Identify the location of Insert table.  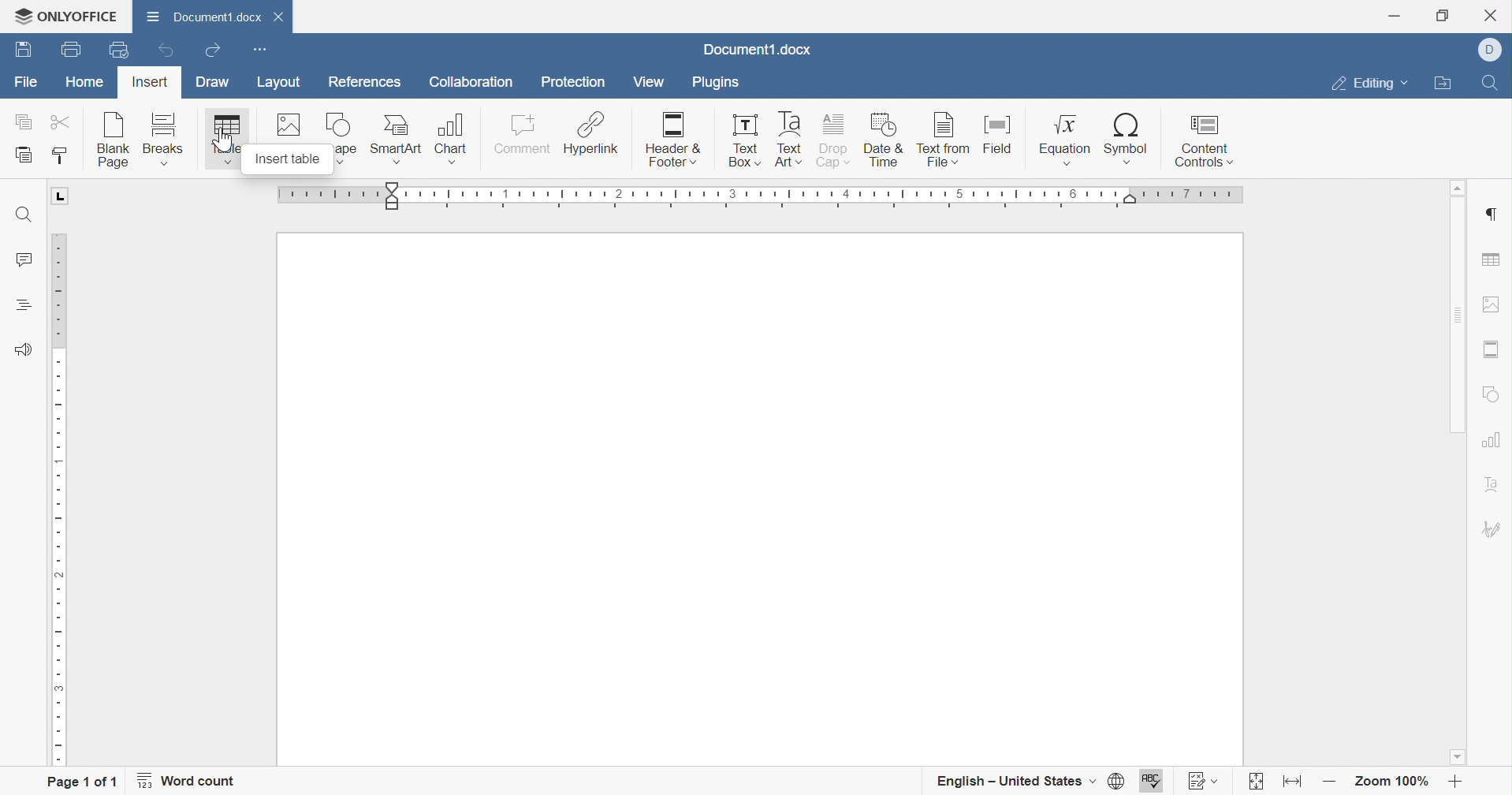
(286, 160).